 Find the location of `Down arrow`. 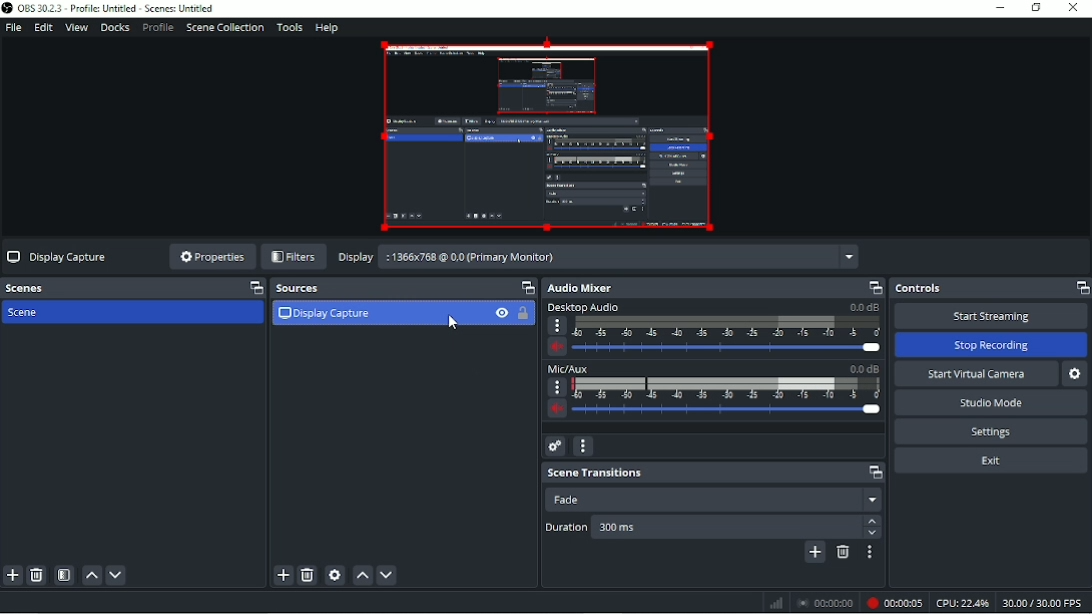

Down arrow is located at coordinates (871, 534).